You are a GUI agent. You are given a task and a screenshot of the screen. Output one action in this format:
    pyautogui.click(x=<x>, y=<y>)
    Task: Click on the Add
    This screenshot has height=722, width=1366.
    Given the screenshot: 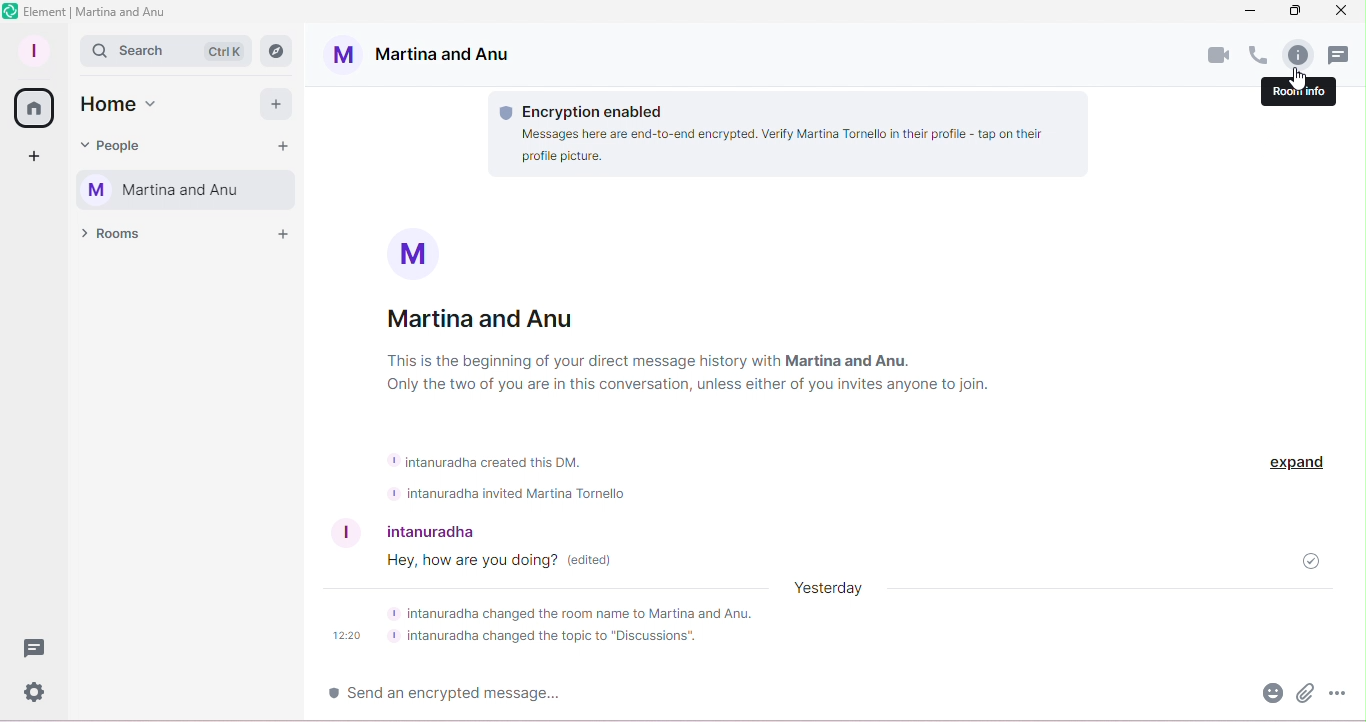 What is the action you would take?
    pyautogui.click(x=271, y=103)
    